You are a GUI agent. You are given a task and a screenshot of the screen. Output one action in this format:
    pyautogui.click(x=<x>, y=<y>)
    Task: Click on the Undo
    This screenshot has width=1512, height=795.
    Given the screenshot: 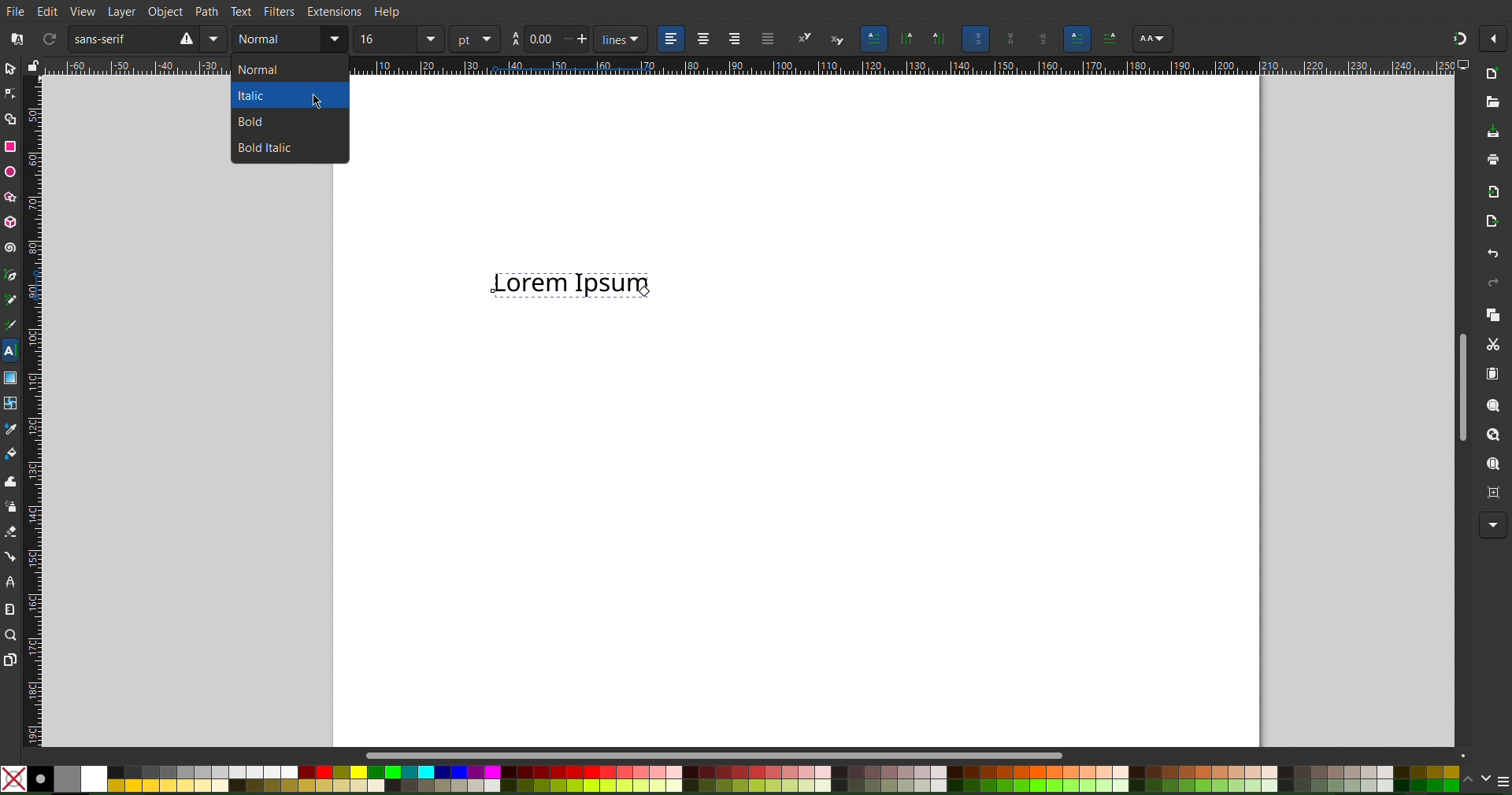 What is the action you would take?
    pyautogui.click(x=1490, y=253)
    